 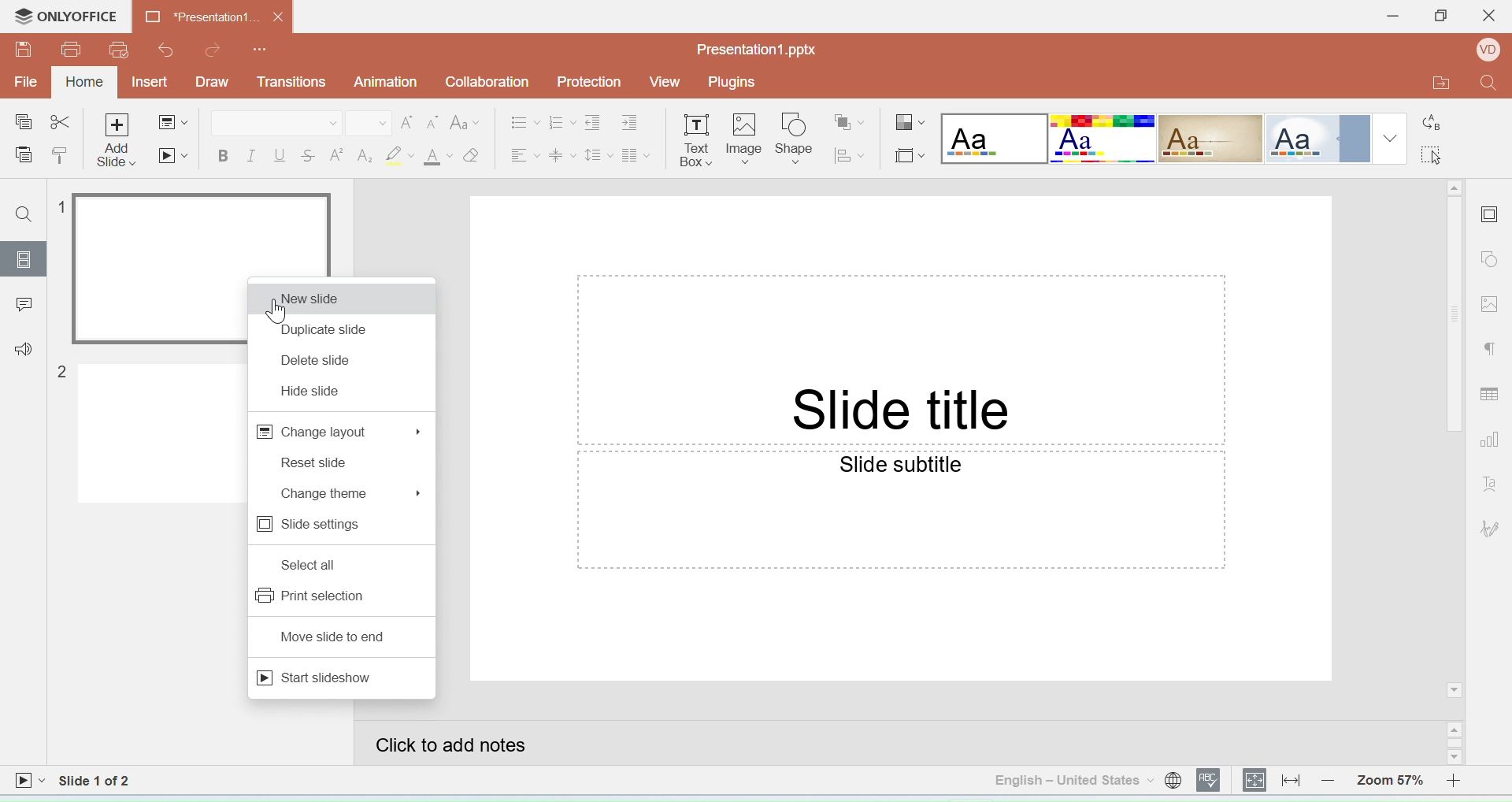 I want to click on delete slide, so click(x=323, y=360).